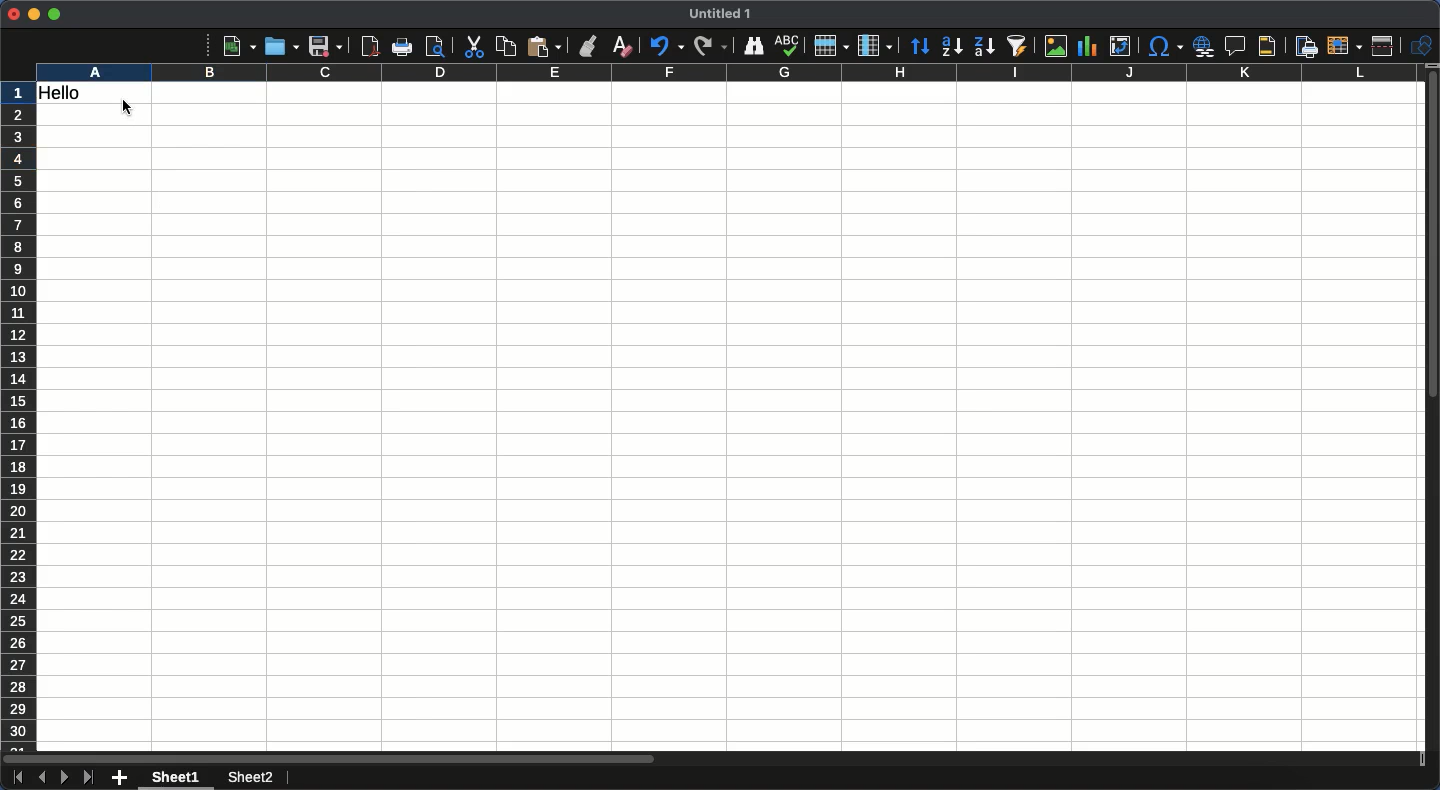 This screenshot has width=1440, height=790. What do you see at coordinates (1085, 48) in the screenshot?
I see `Chart` at bounding box center [1085, 48].